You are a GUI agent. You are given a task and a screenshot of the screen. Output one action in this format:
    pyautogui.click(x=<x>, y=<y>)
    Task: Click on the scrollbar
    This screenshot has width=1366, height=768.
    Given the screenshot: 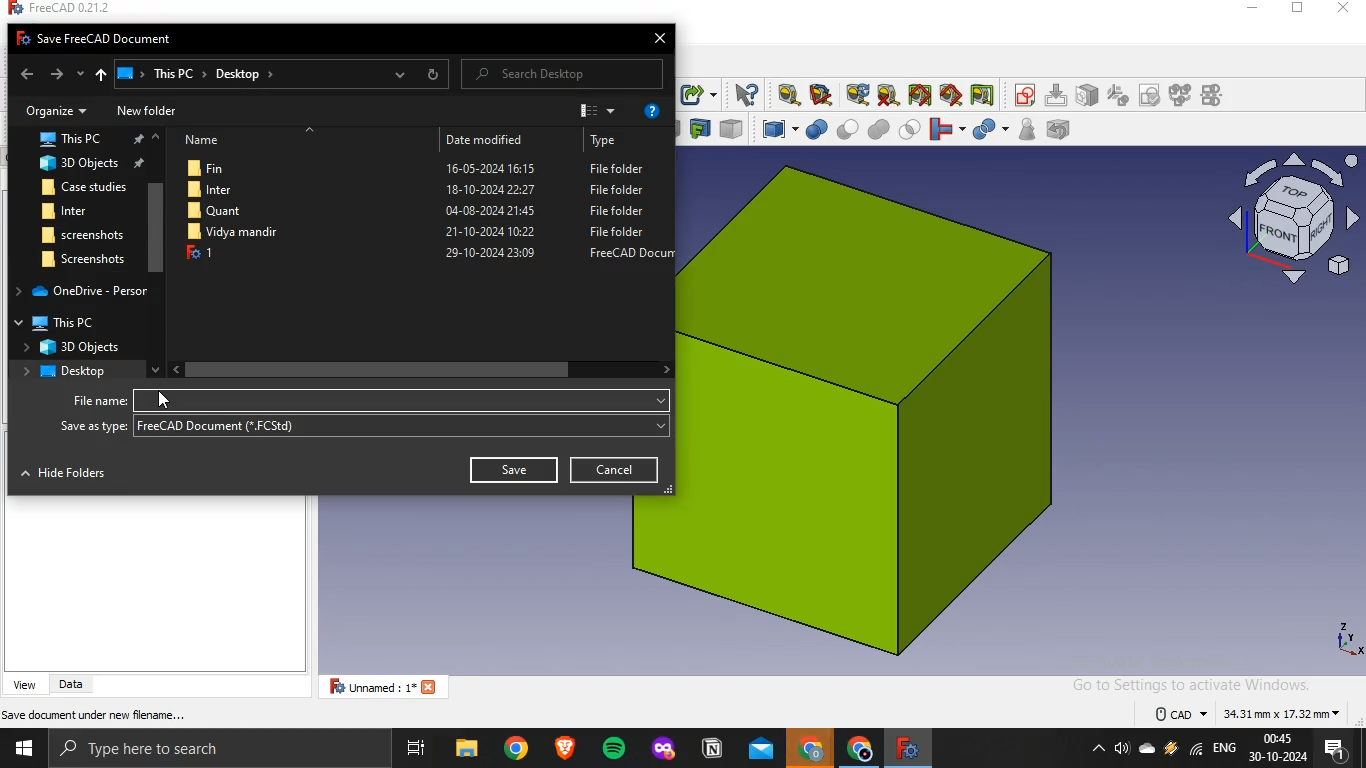 What is the action you would take?
    pyautogui.click(x=421, y=369)
    